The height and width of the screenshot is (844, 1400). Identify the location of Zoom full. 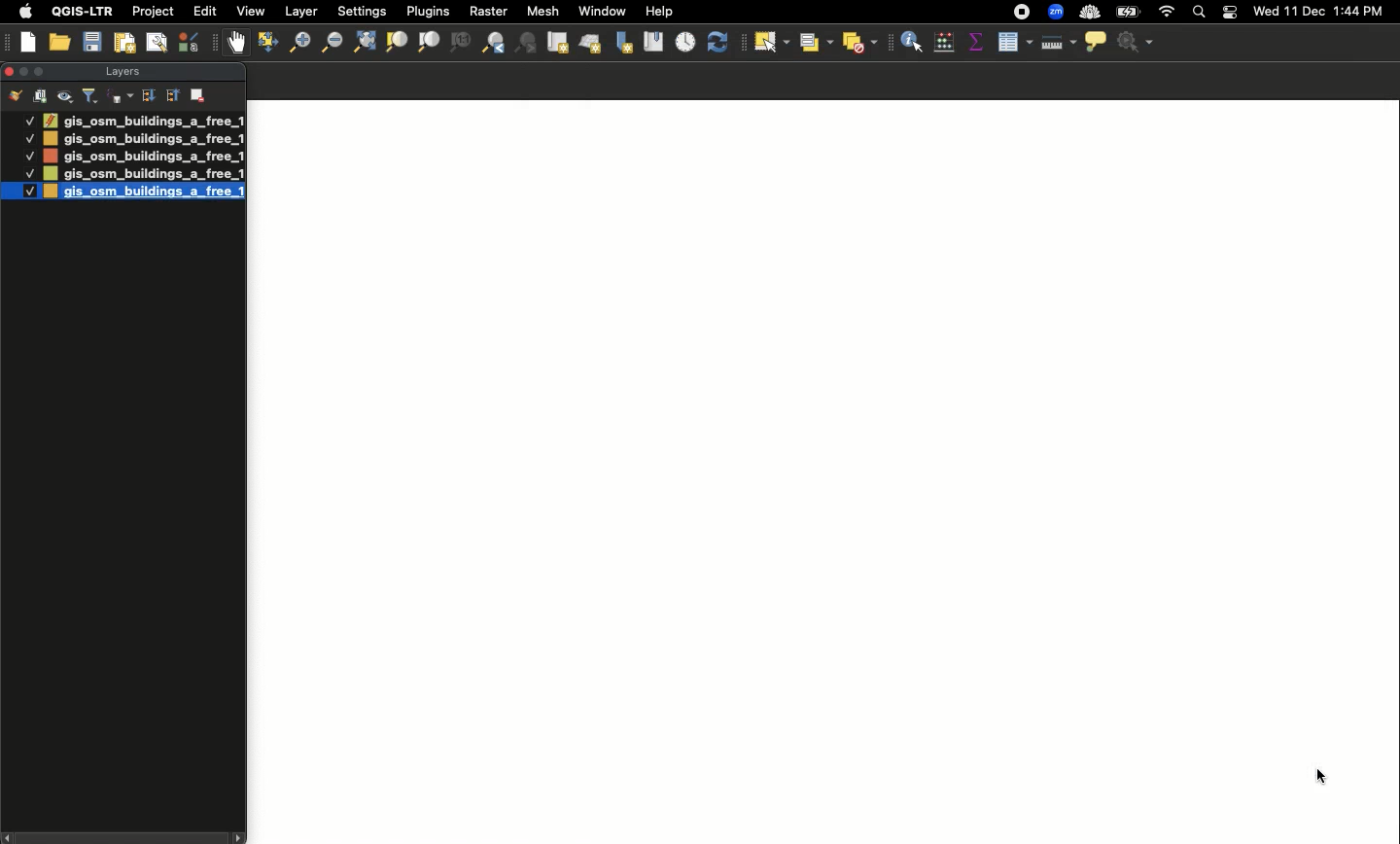
(363, 43).